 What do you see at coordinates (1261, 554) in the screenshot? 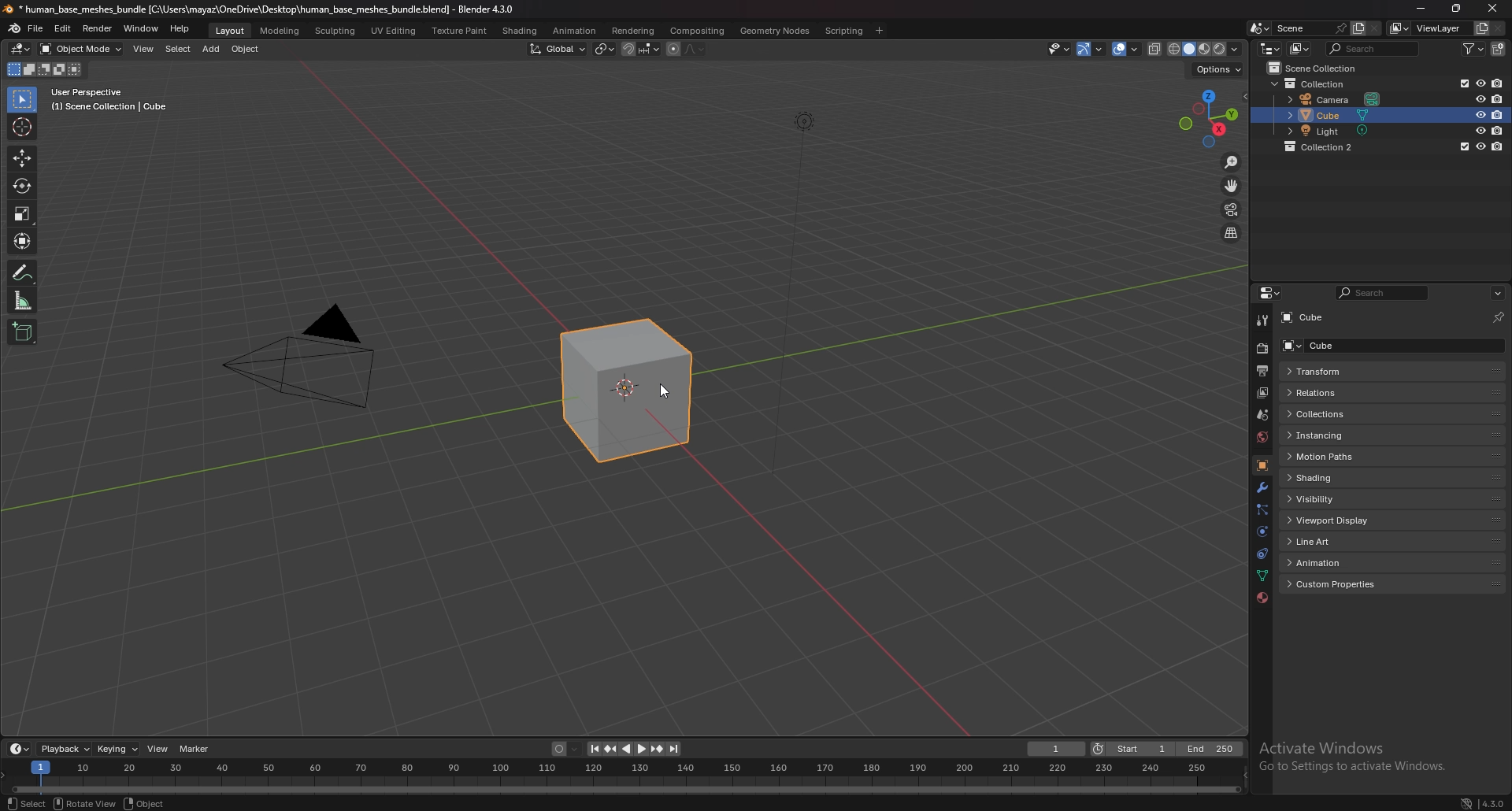
I see `constraints` at bounding box center [1261, 554].